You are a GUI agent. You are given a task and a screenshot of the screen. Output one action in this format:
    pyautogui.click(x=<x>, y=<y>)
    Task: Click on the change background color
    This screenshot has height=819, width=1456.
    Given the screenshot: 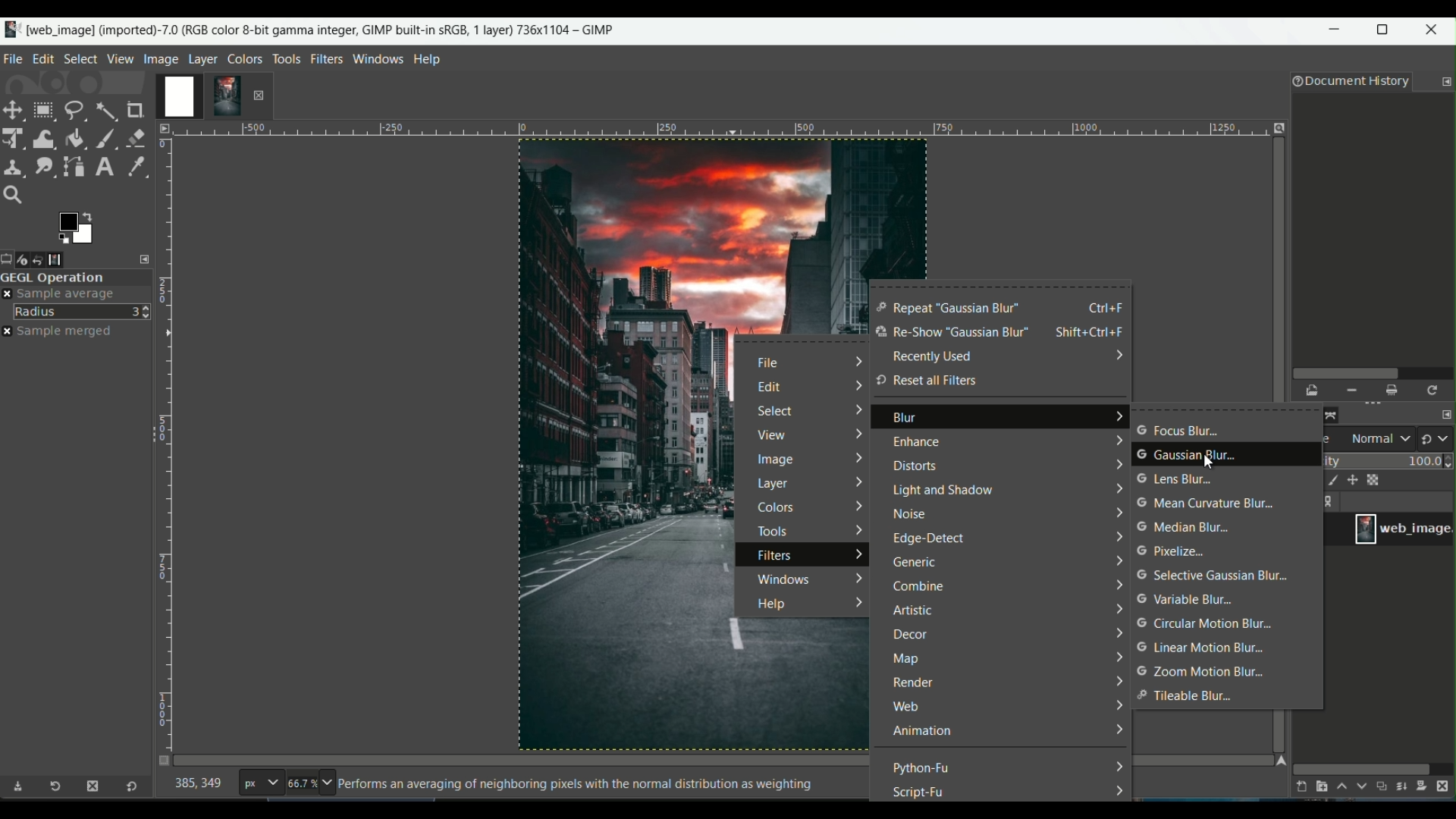 What is the action you would take?
    pyautogui.click(x=75, y=227)
    